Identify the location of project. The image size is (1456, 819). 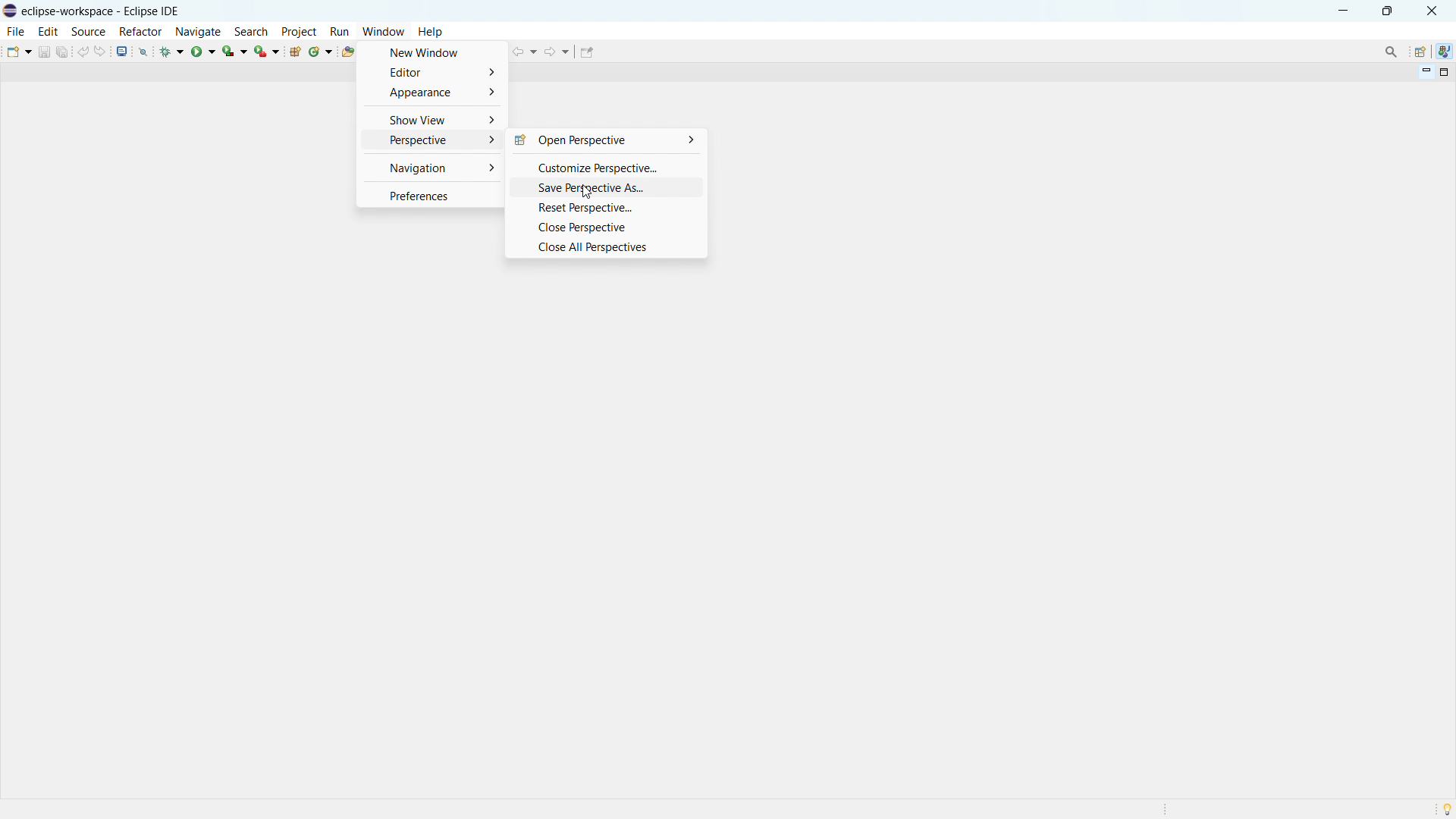
(300, 31).